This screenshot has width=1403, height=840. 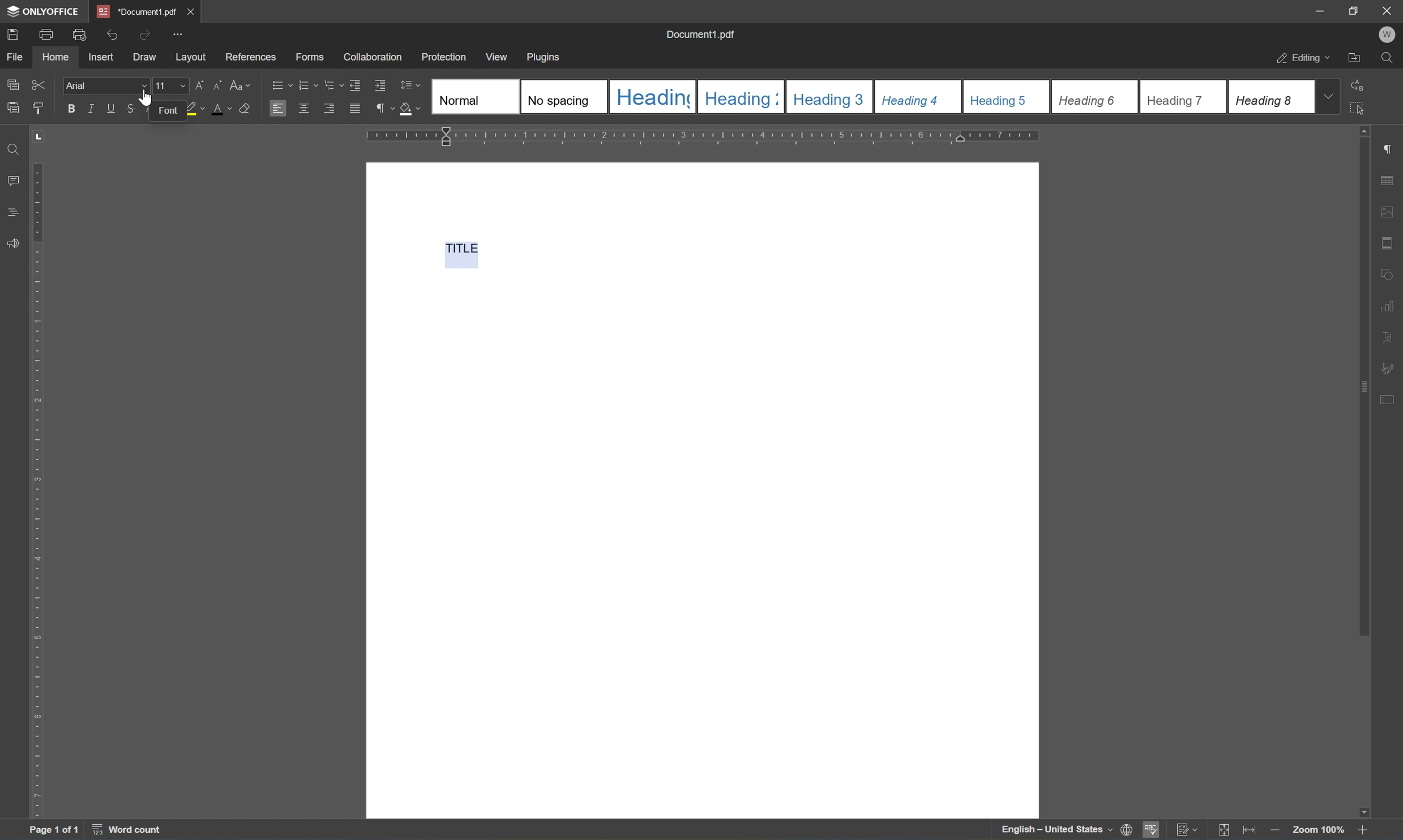 What do you see at coordinates (544, 57) in the screenshot?
I see `plugins` at bounding box center [544, 57].